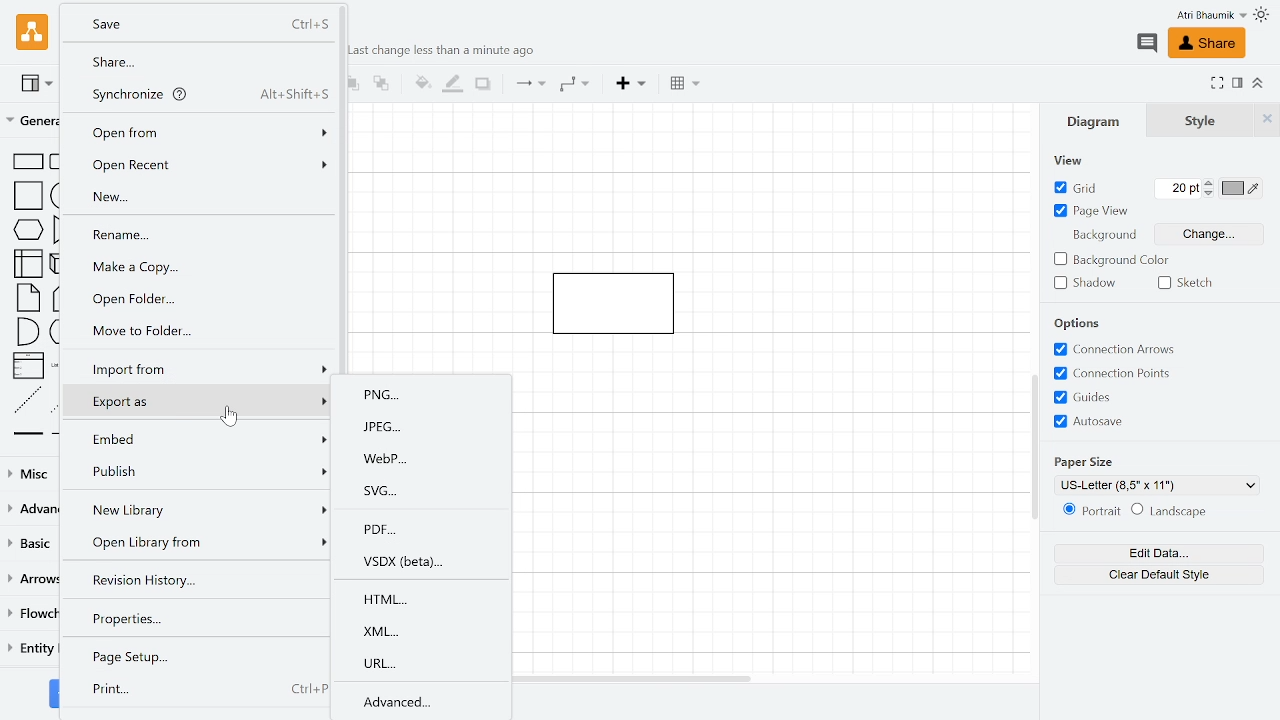  I want to click on Move to folder, so click(206, 331).